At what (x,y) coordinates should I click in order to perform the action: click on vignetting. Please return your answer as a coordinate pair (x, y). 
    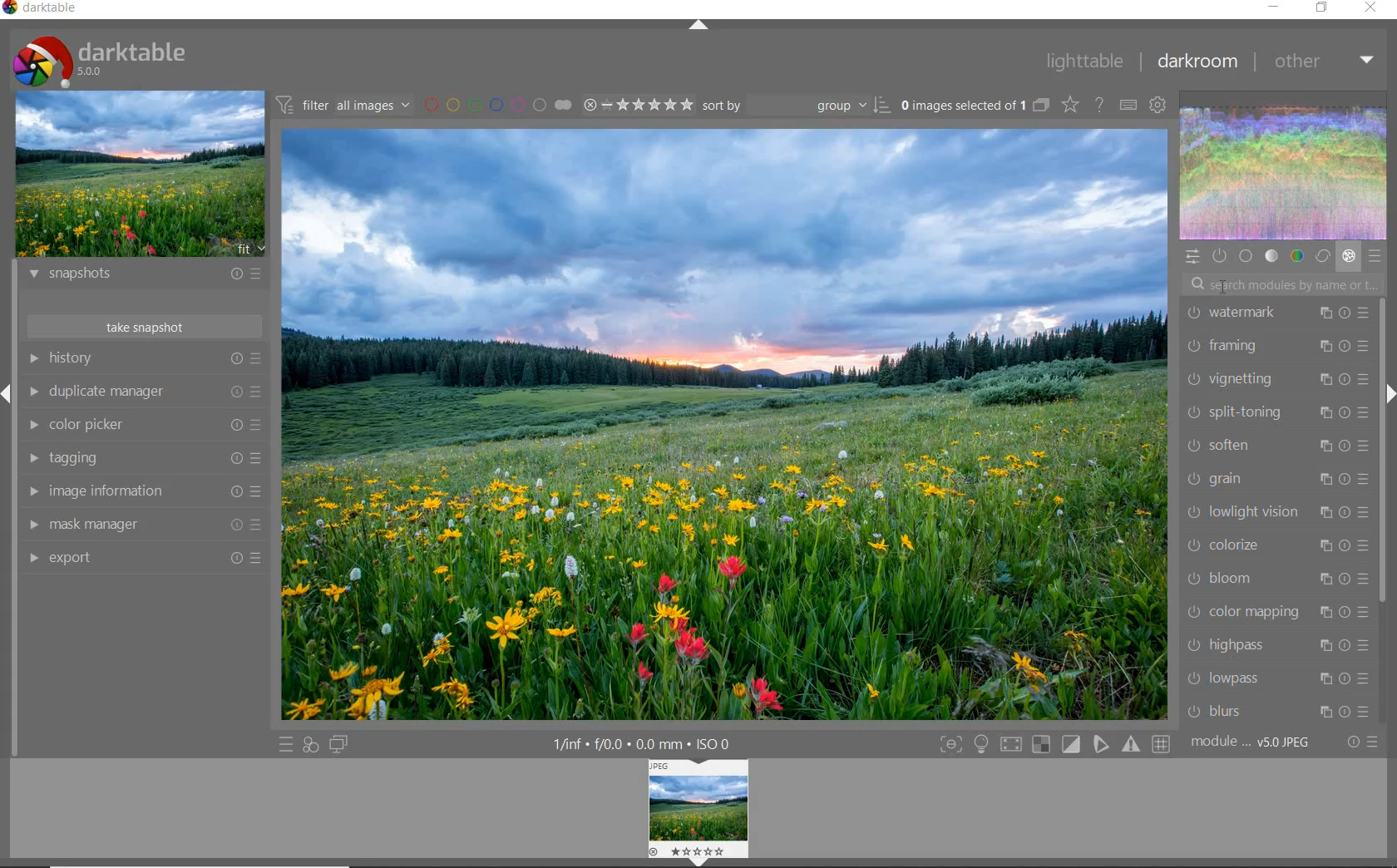
    Looking at the image, I should click on (1275, 379).